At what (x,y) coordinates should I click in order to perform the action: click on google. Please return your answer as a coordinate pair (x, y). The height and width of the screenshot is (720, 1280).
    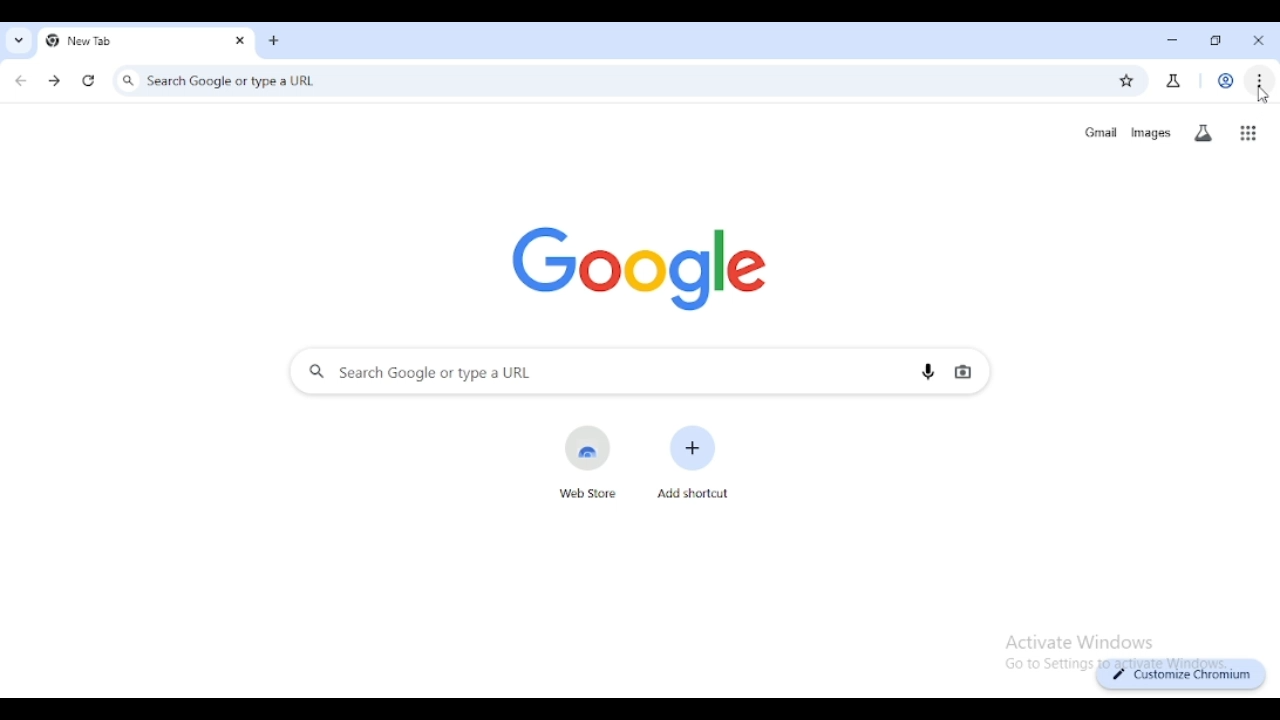
    Looking at the image, I should click on (639, 265).